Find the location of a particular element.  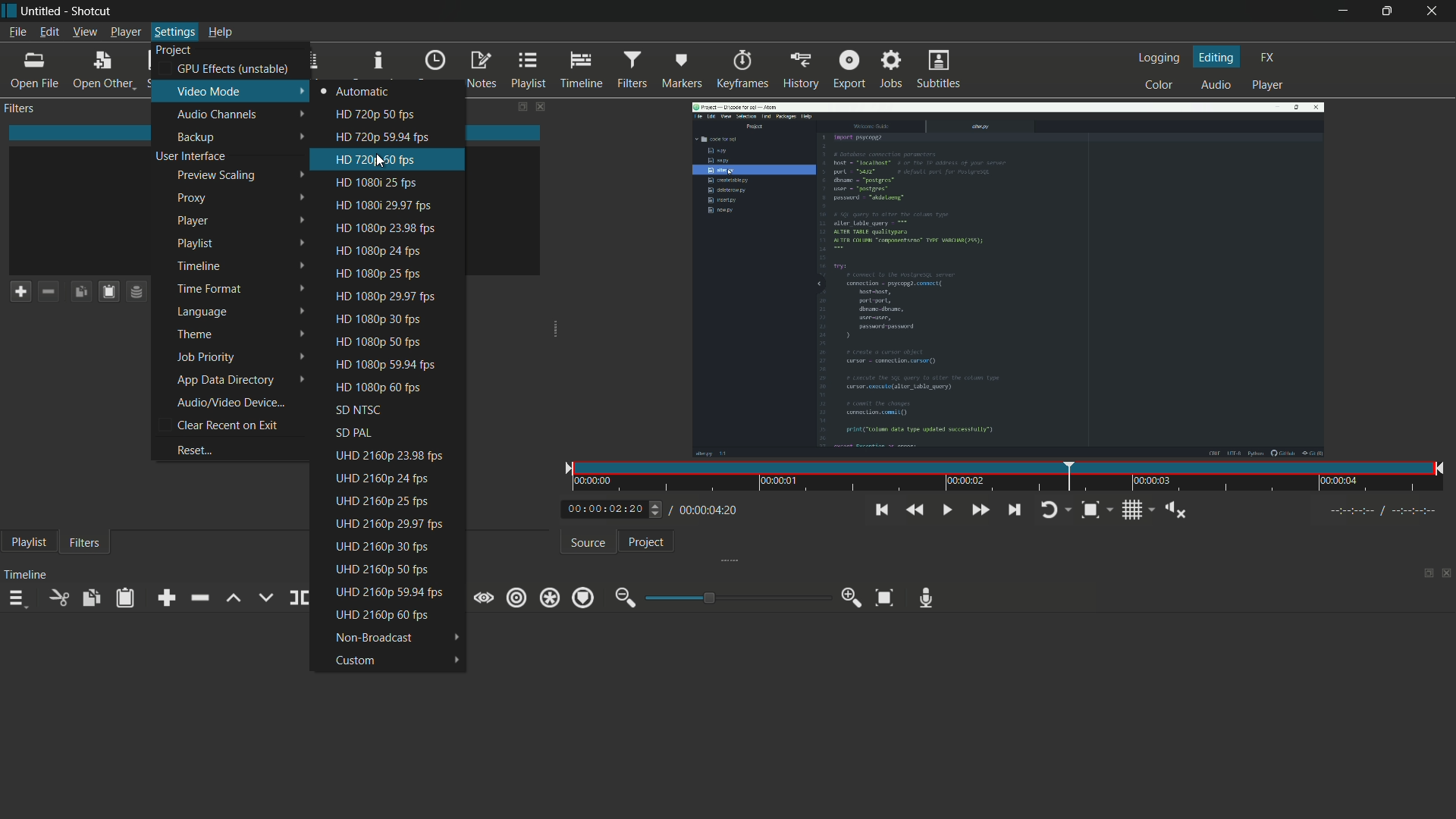

save filter set is located at coordinates (136, 290).